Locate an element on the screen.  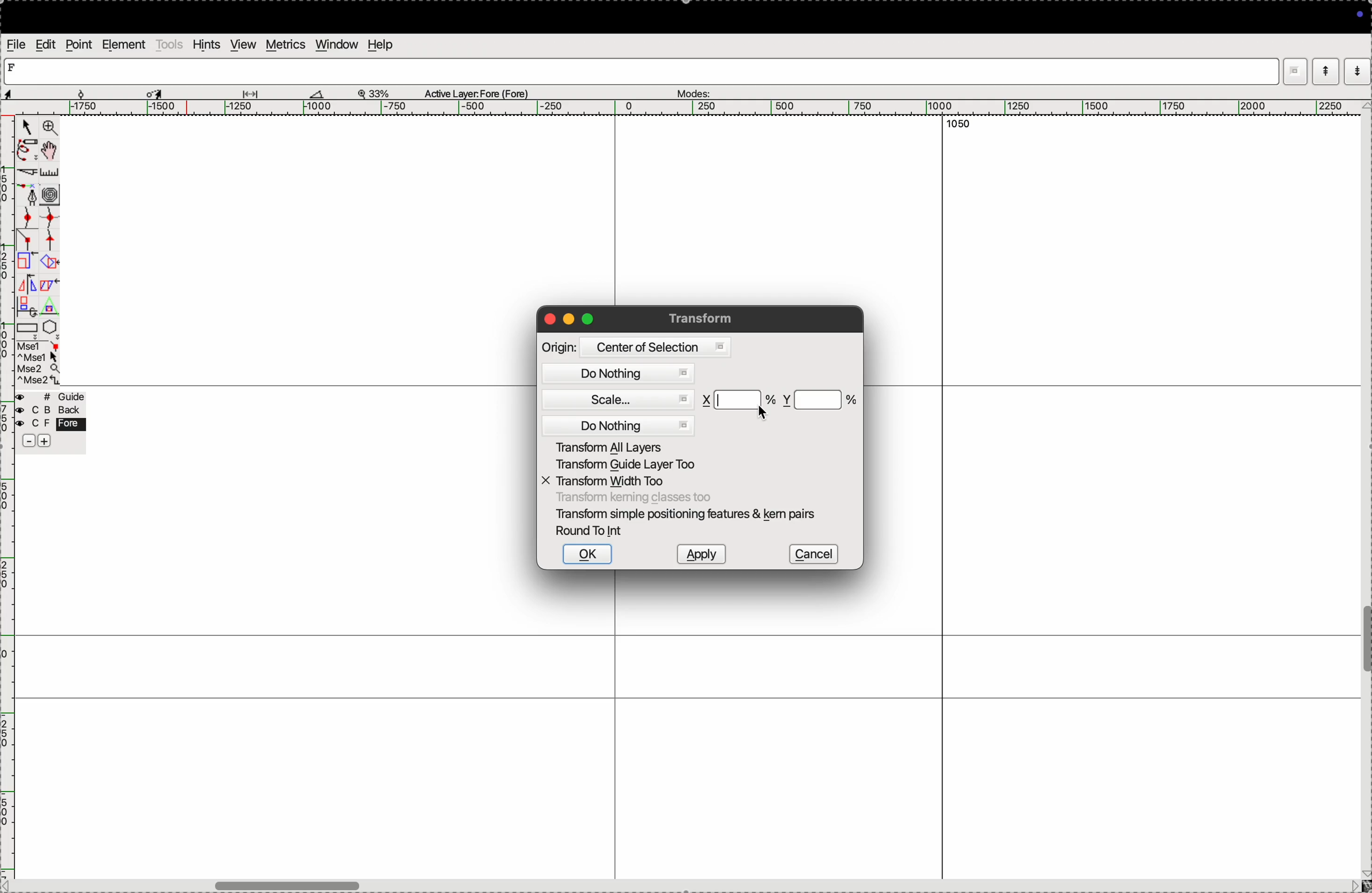
sbubtract is located at coordinates (24, 442).